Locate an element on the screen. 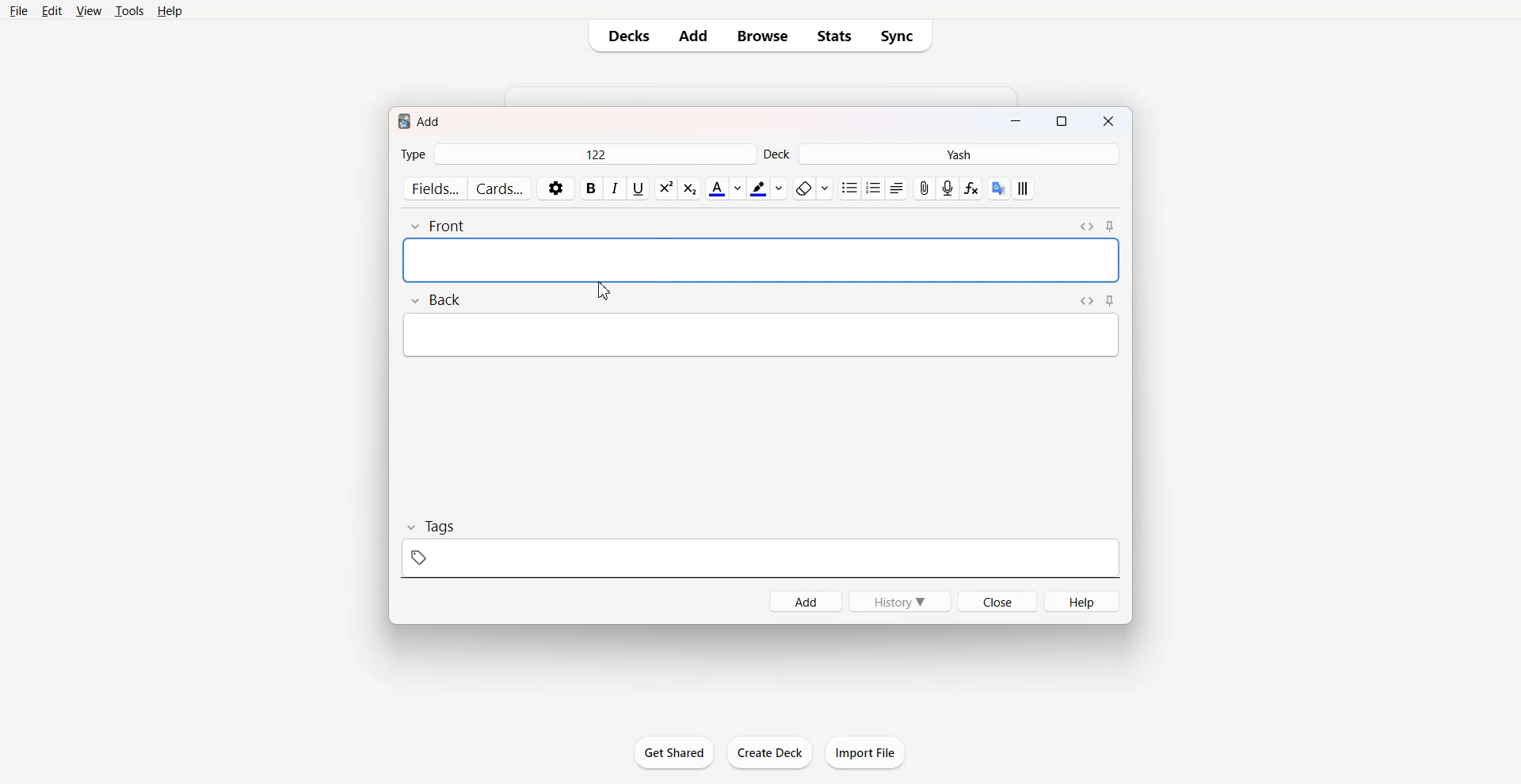 The image size is (1521, 784). Italic is located at coordinates (614, 188).